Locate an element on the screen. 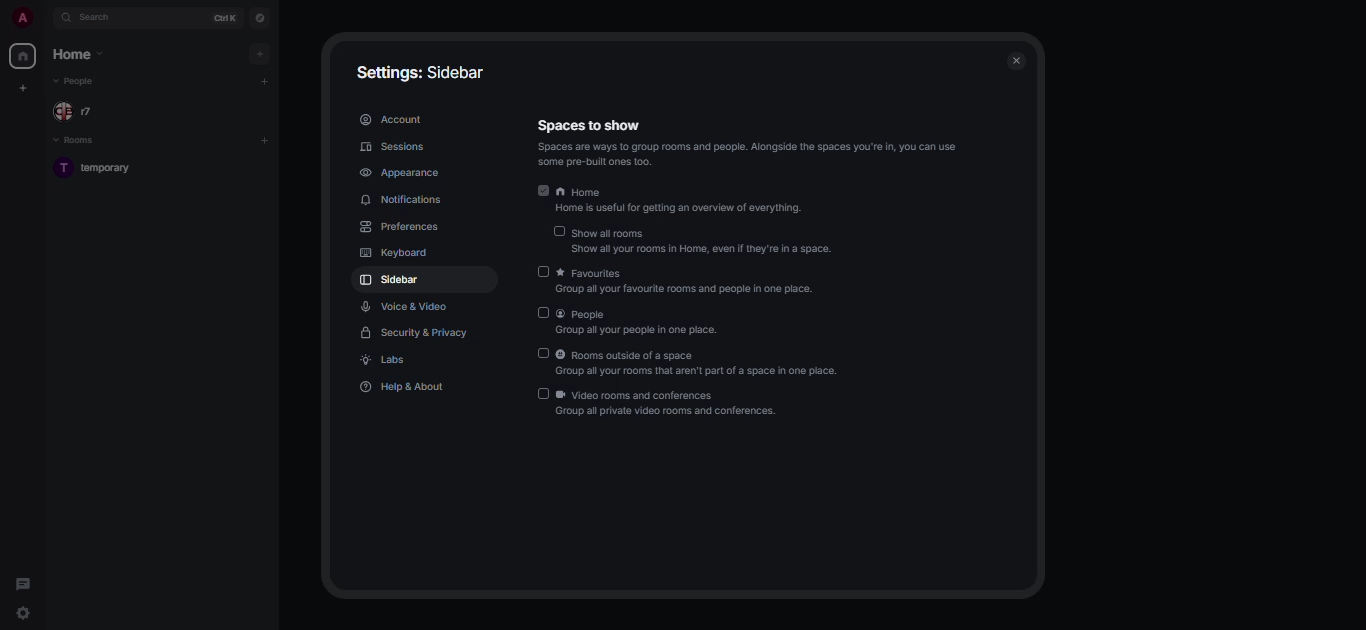 Image resolution: width=1366 pixels, height=630 pixels. quick settings is located at coordinates (23, 612).